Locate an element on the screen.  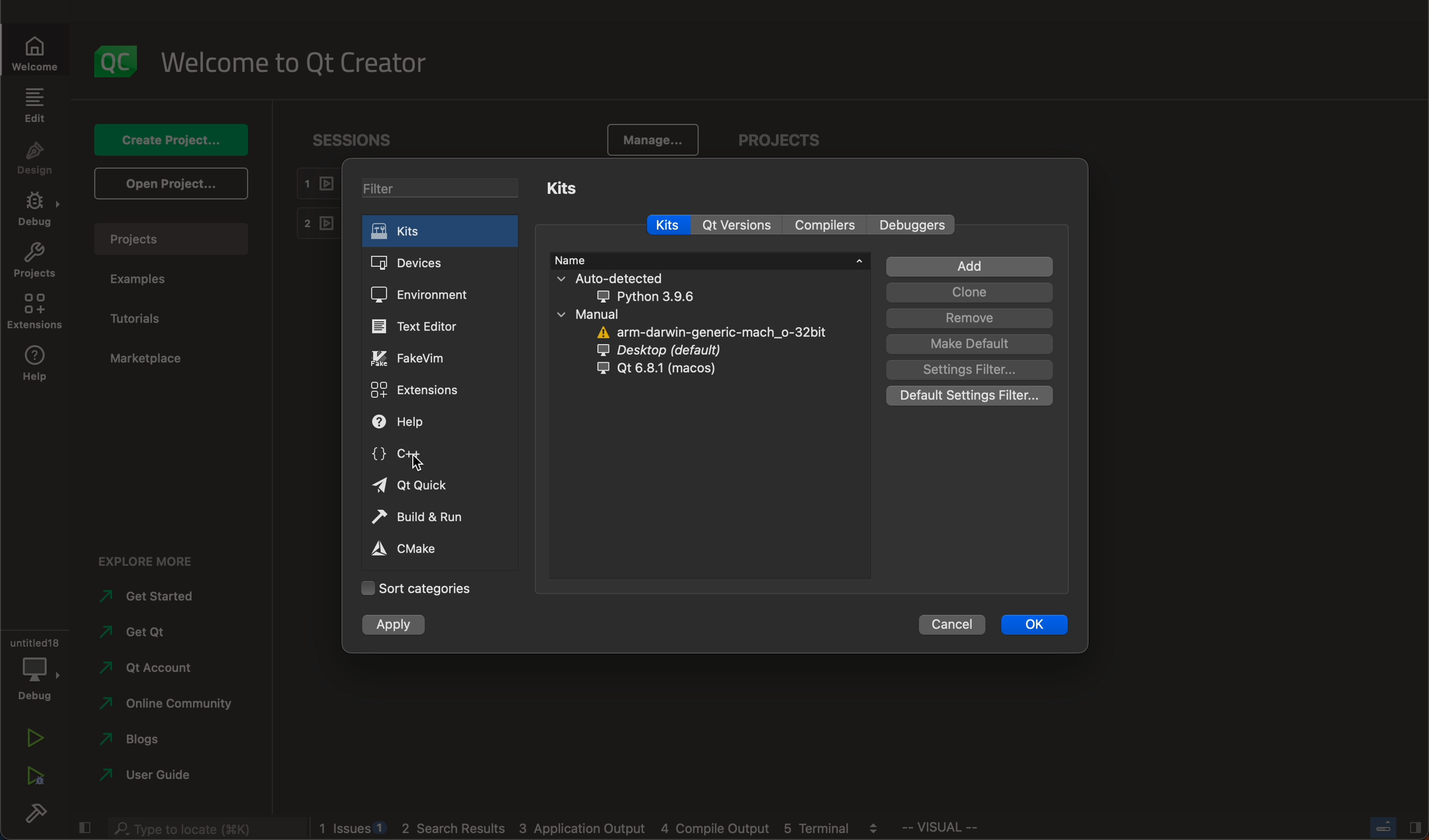
open is located at coordinates (168, 183).